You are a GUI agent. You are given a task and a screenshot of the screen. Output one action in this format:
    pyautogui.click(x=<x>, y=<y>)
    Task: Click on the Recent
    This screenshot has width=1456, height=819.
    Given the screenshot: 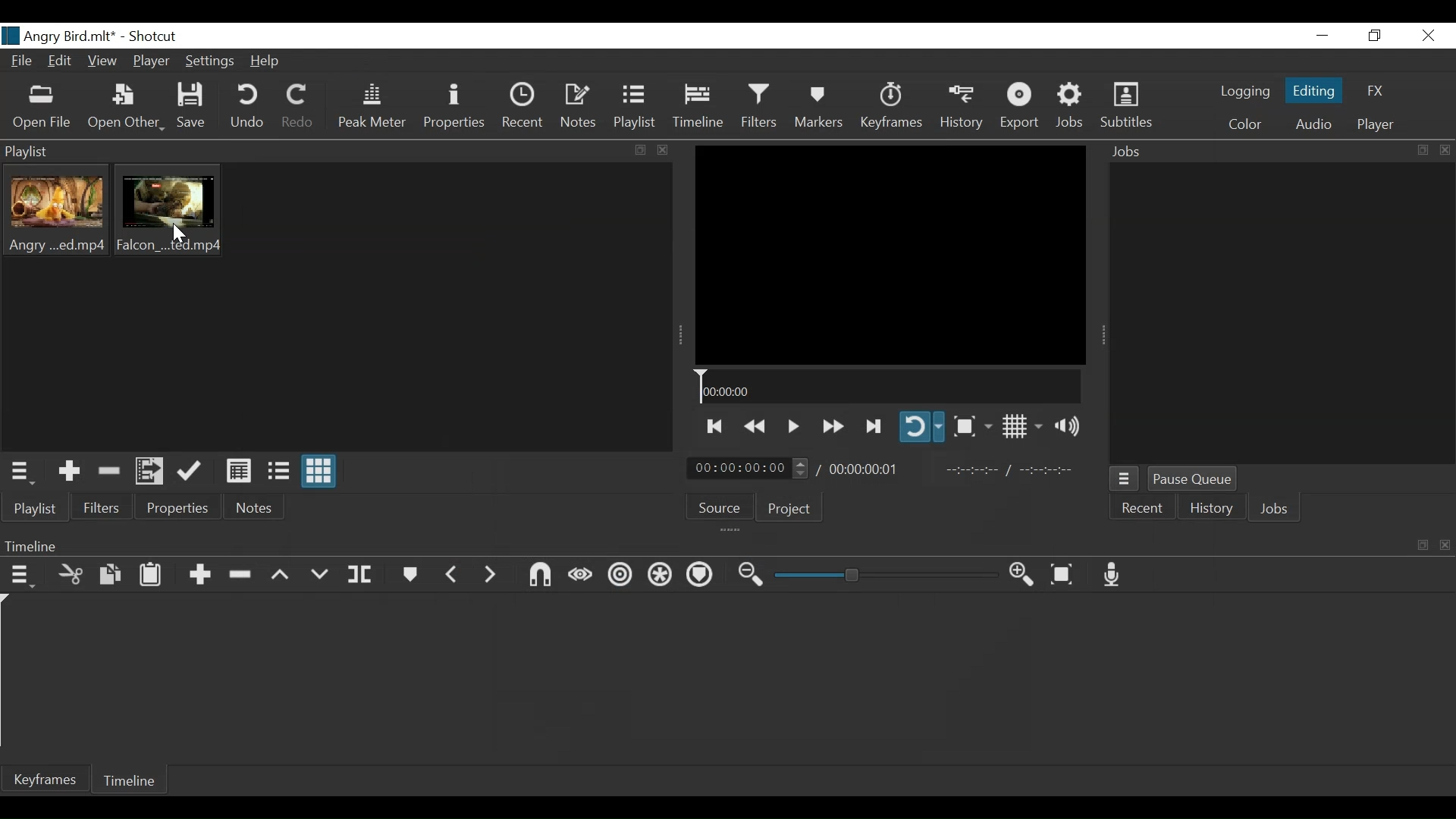 What is the action you would take?
    pyautogui.click(x=1141, y=510)
    